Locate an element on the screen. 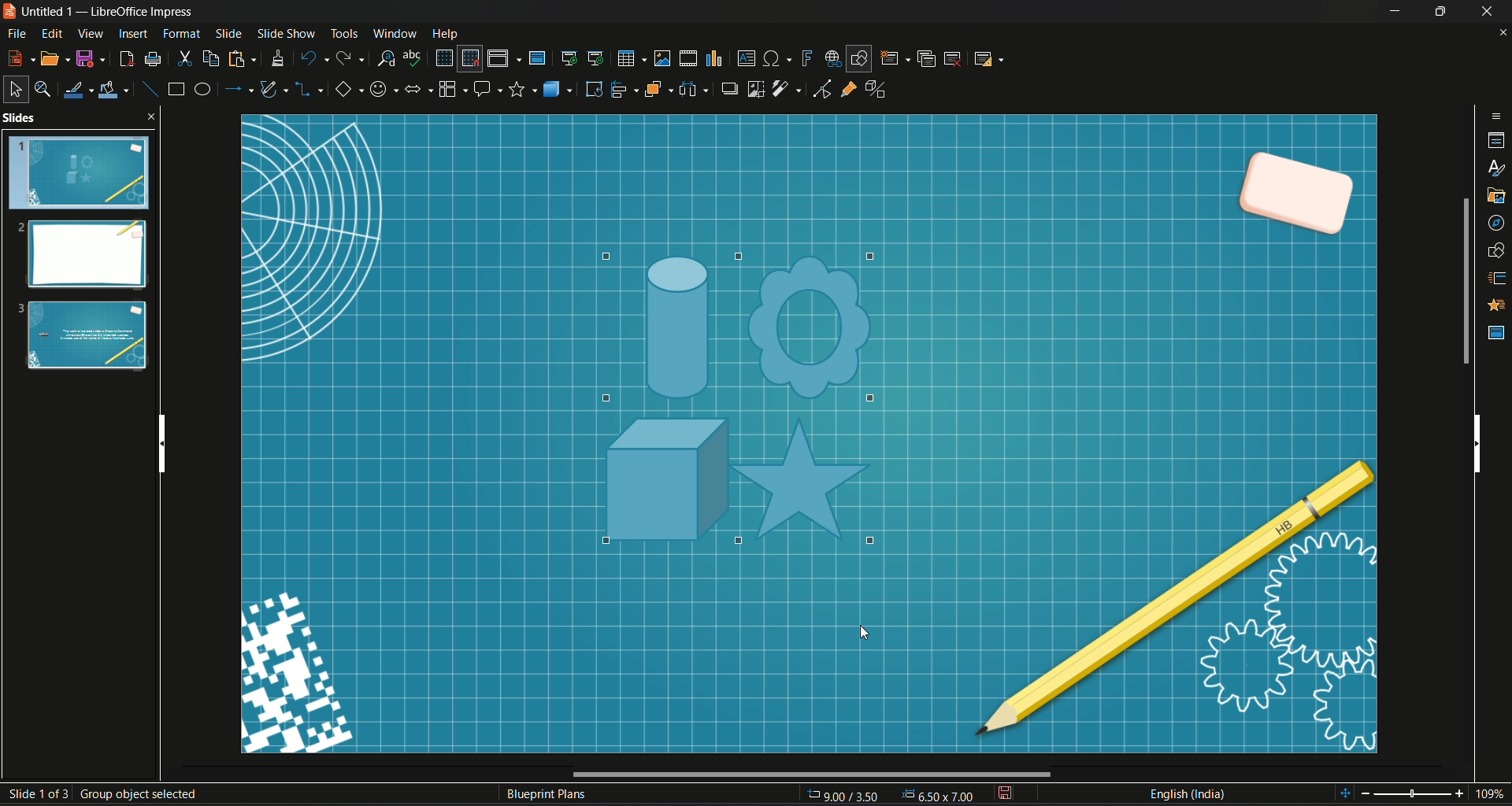  gallery is located at coordinates (1497, 196).